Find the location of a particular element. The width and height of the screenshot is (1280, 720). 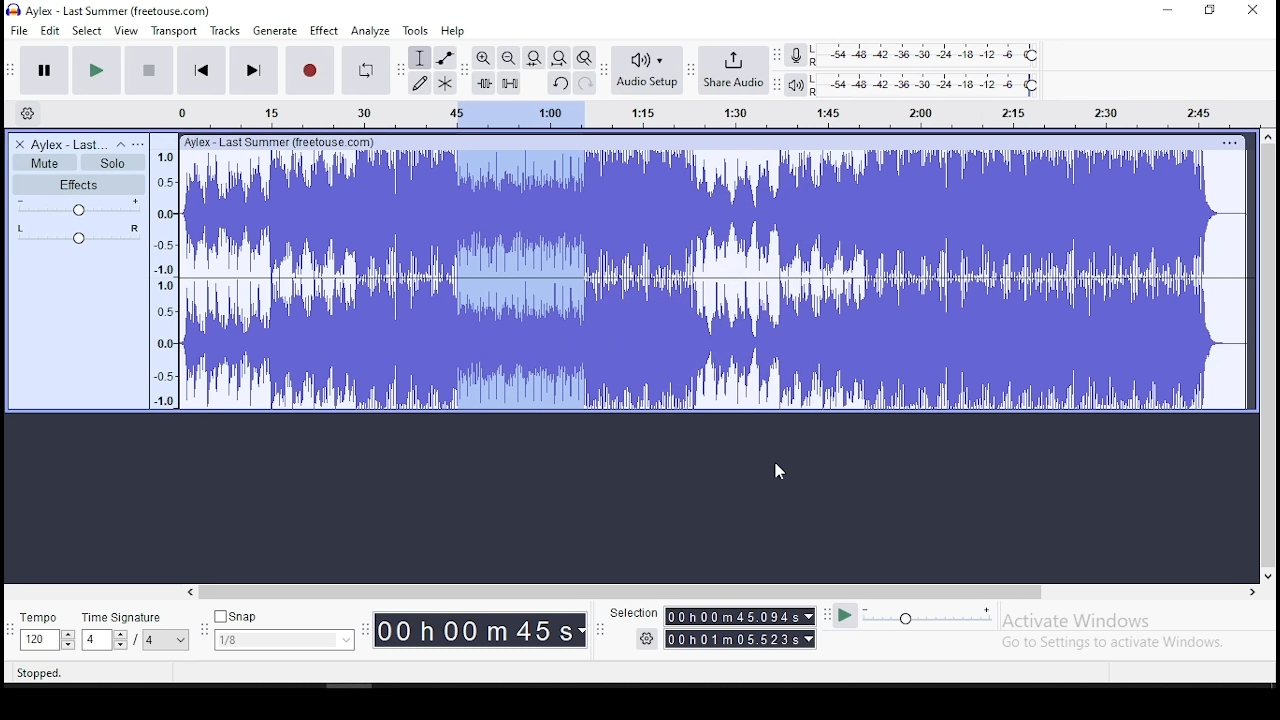

fit selection to width is located at coordinates (533, 58).